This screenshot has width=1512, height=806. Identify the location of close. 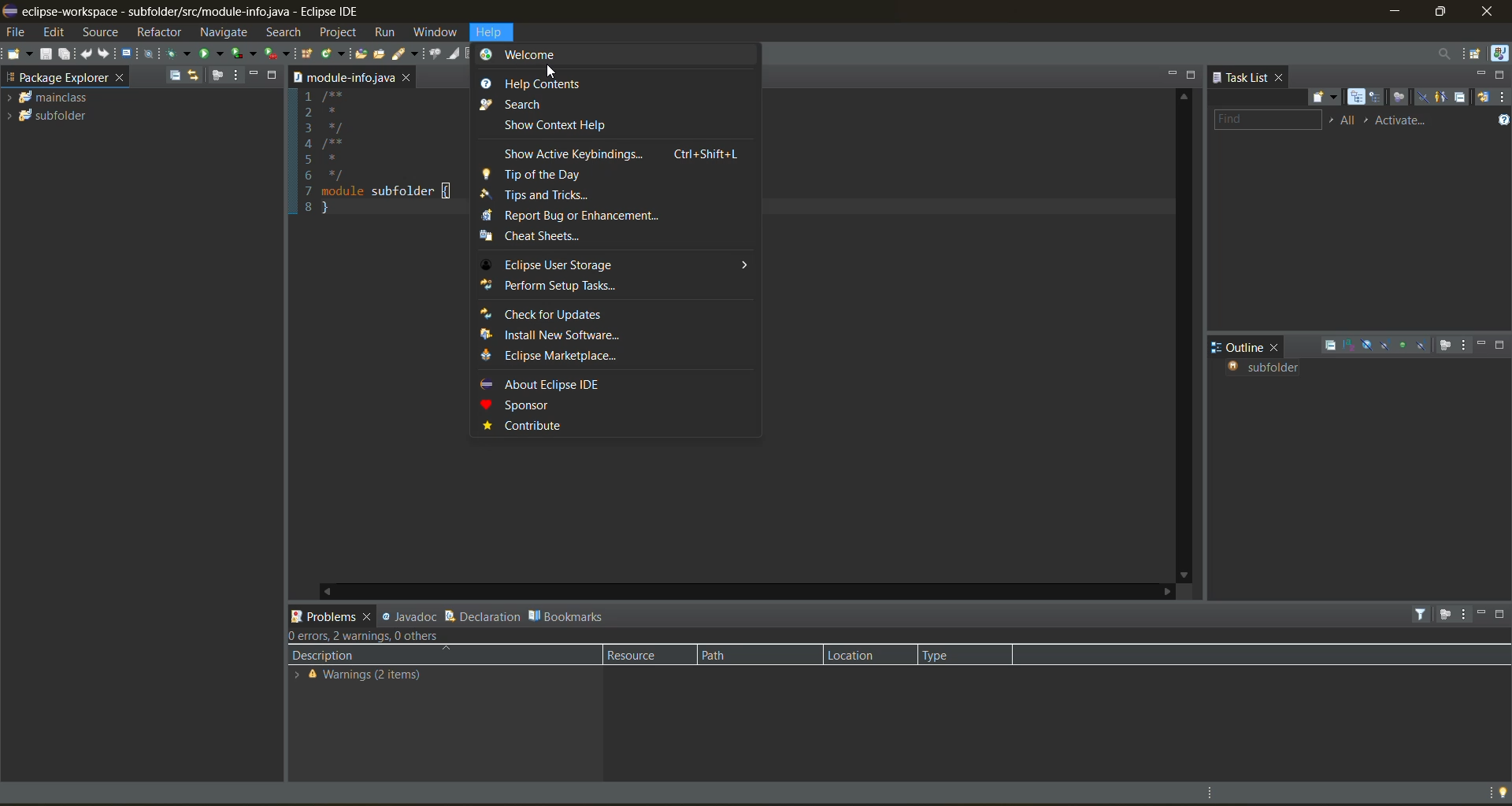
(371, 618).